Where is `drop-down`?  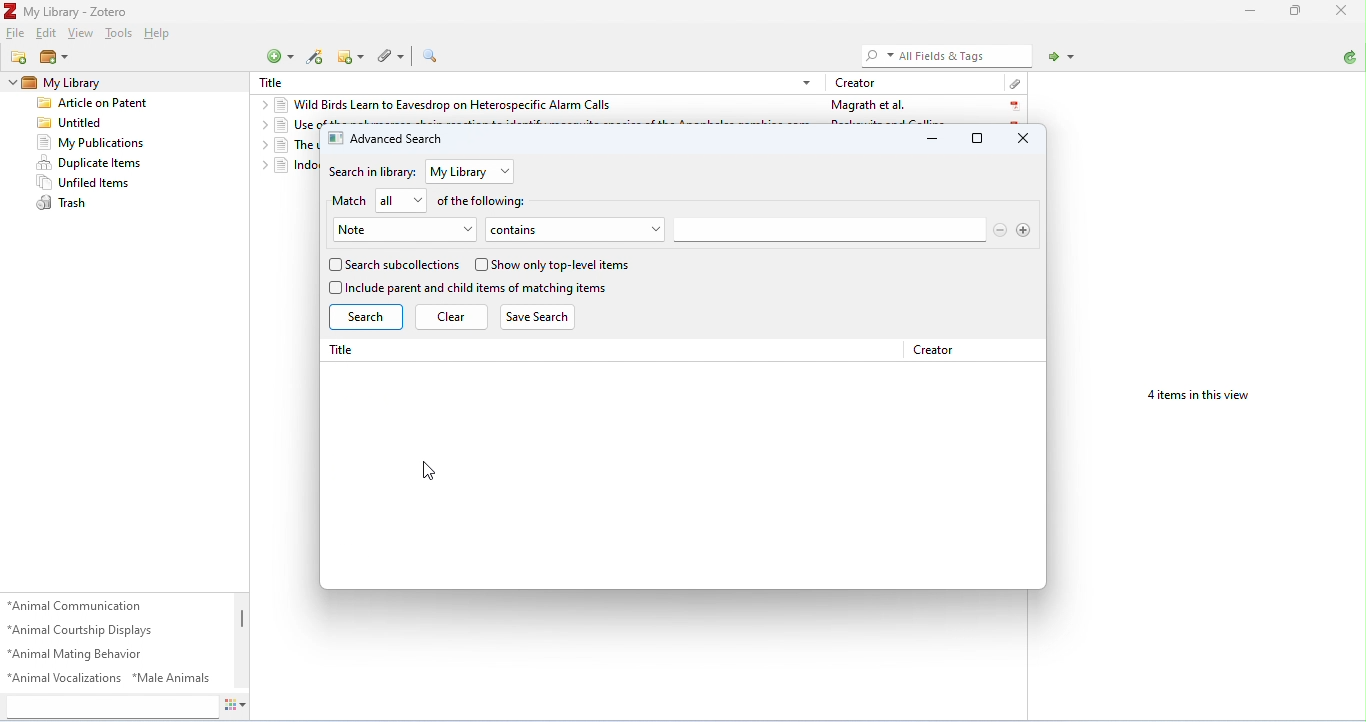 drop-down is located at coordinates (808, 83).